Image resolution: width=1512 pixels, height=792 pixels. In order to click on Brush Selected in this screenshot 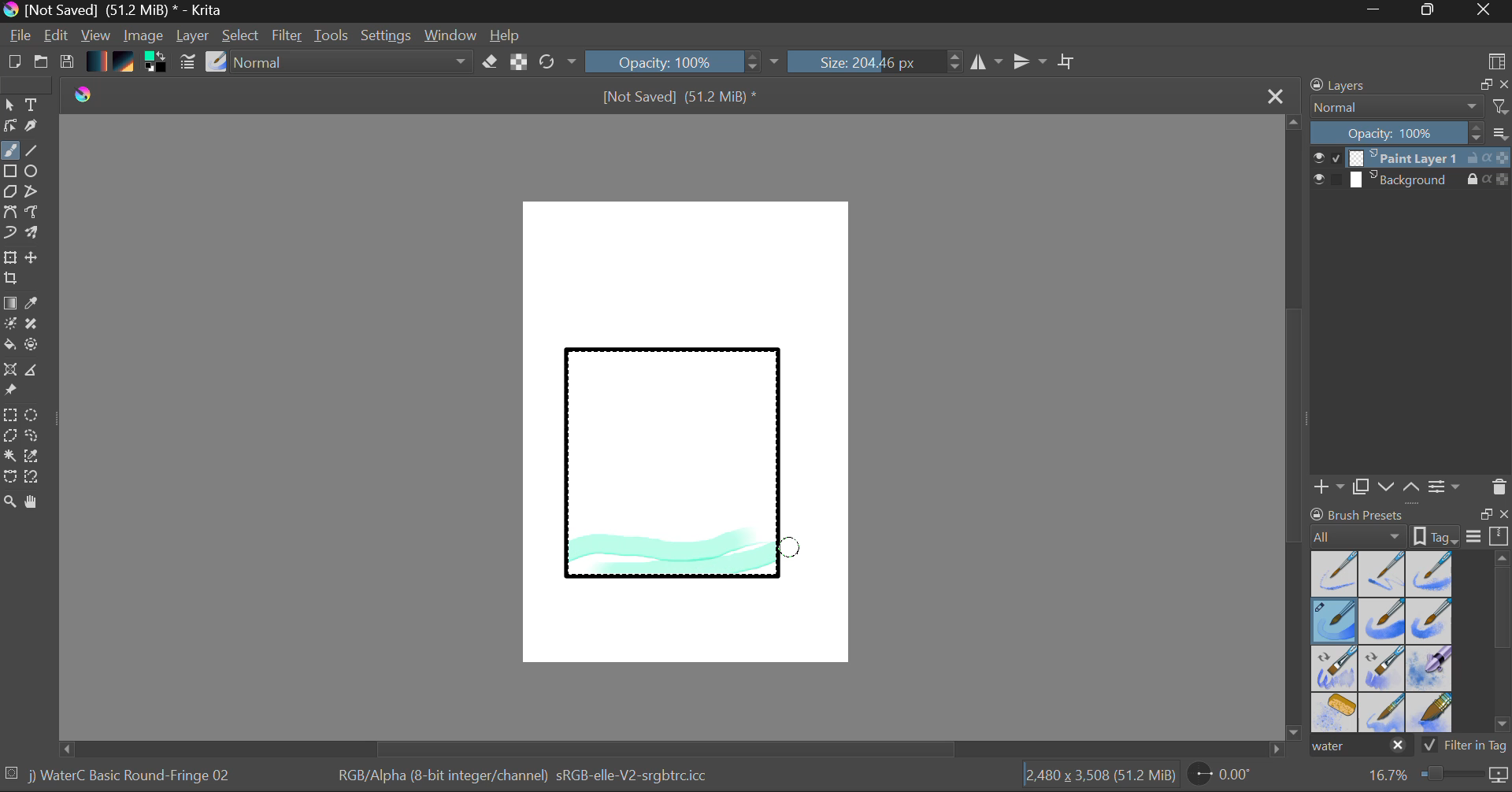, I will do `click(132, 777)`.